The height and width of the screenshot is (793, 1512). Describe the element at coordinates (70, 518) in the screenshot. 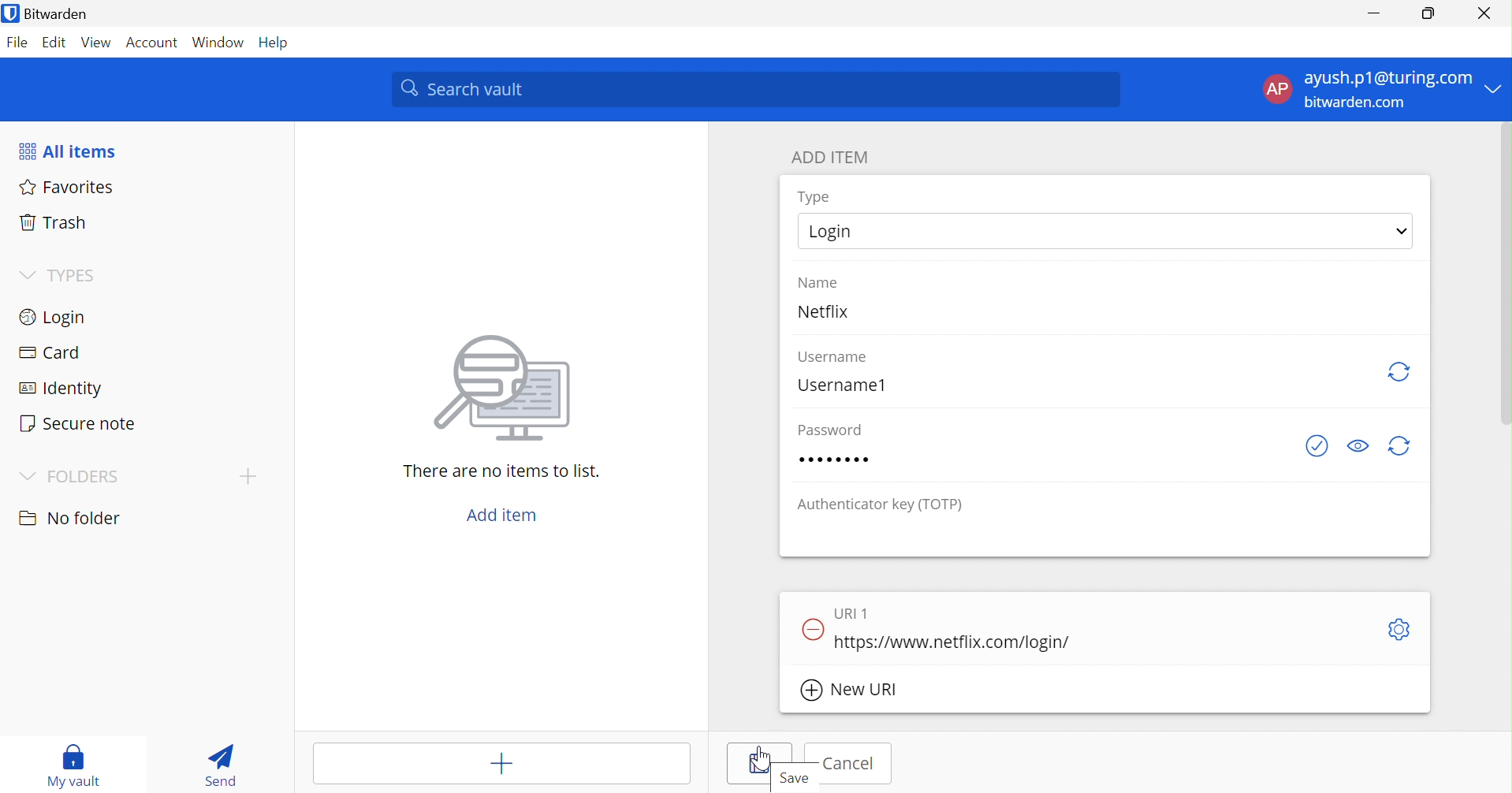

I see `No folder` at that location.